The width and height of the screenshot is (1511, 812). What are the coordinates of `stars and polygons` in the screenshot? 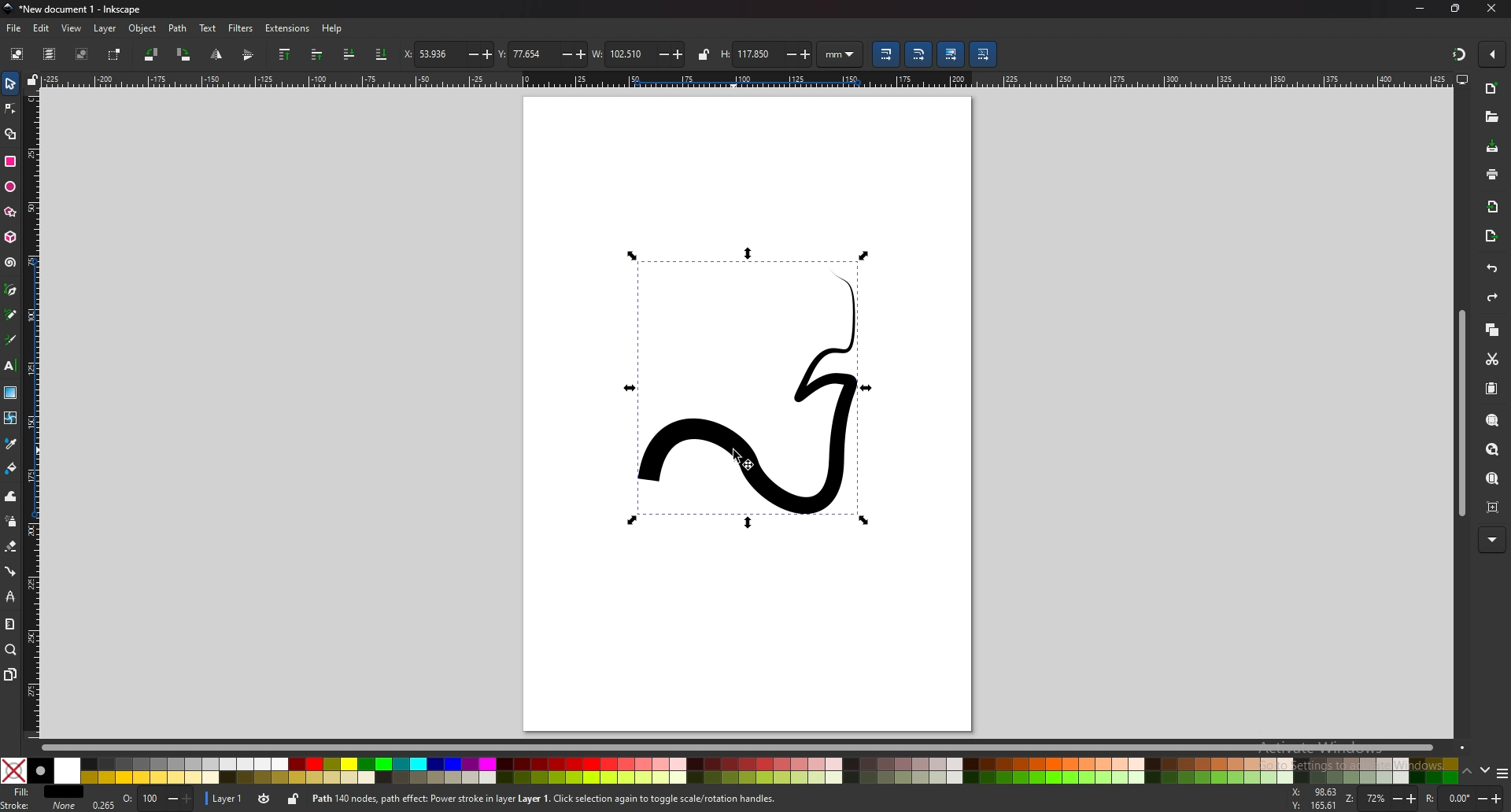 It's located at (10, 212).